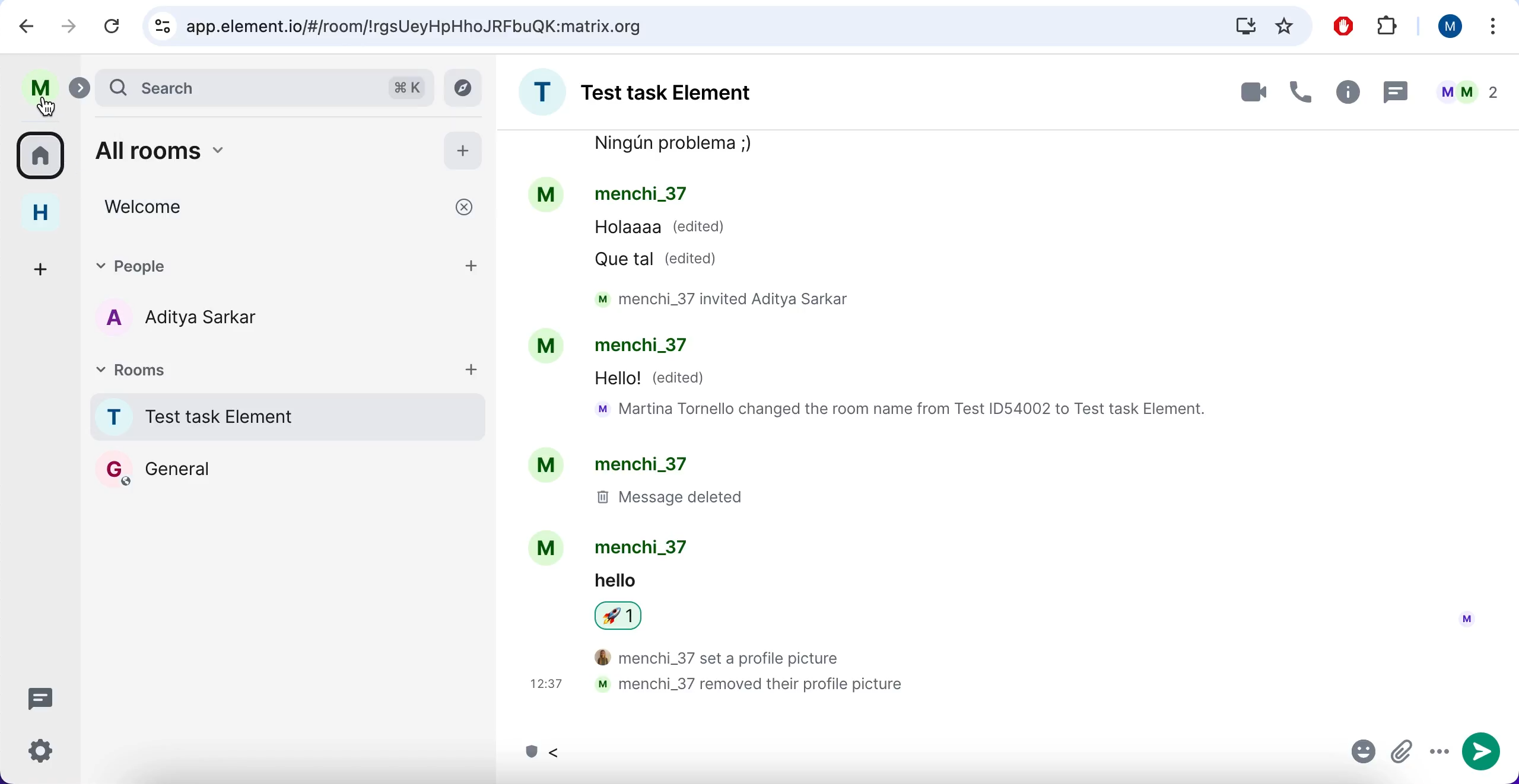  Describe the element at coordinates (475, 267) in the screenshot. I see `add` at that location.